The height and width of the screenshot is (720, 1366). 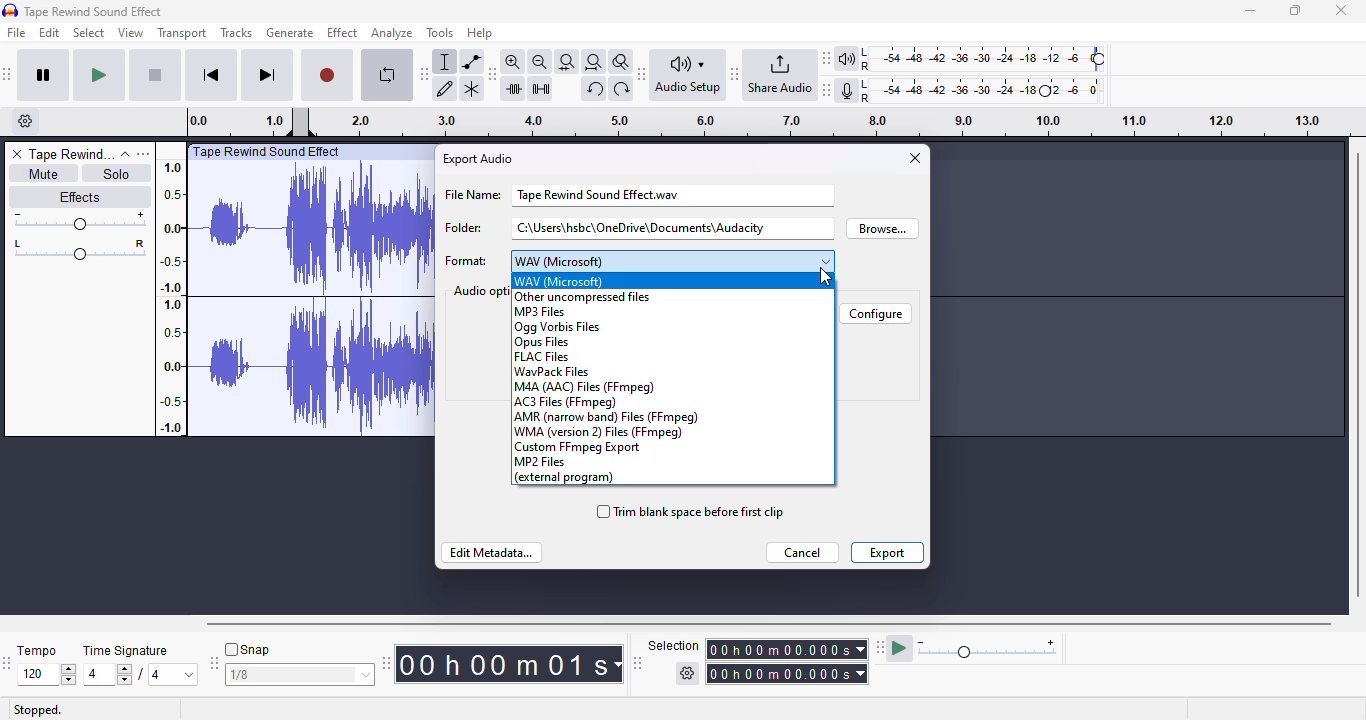 What do you see at coordinates (757, 121) in the screenshot?
I see `timestamps` at bounding box center [757, 121].